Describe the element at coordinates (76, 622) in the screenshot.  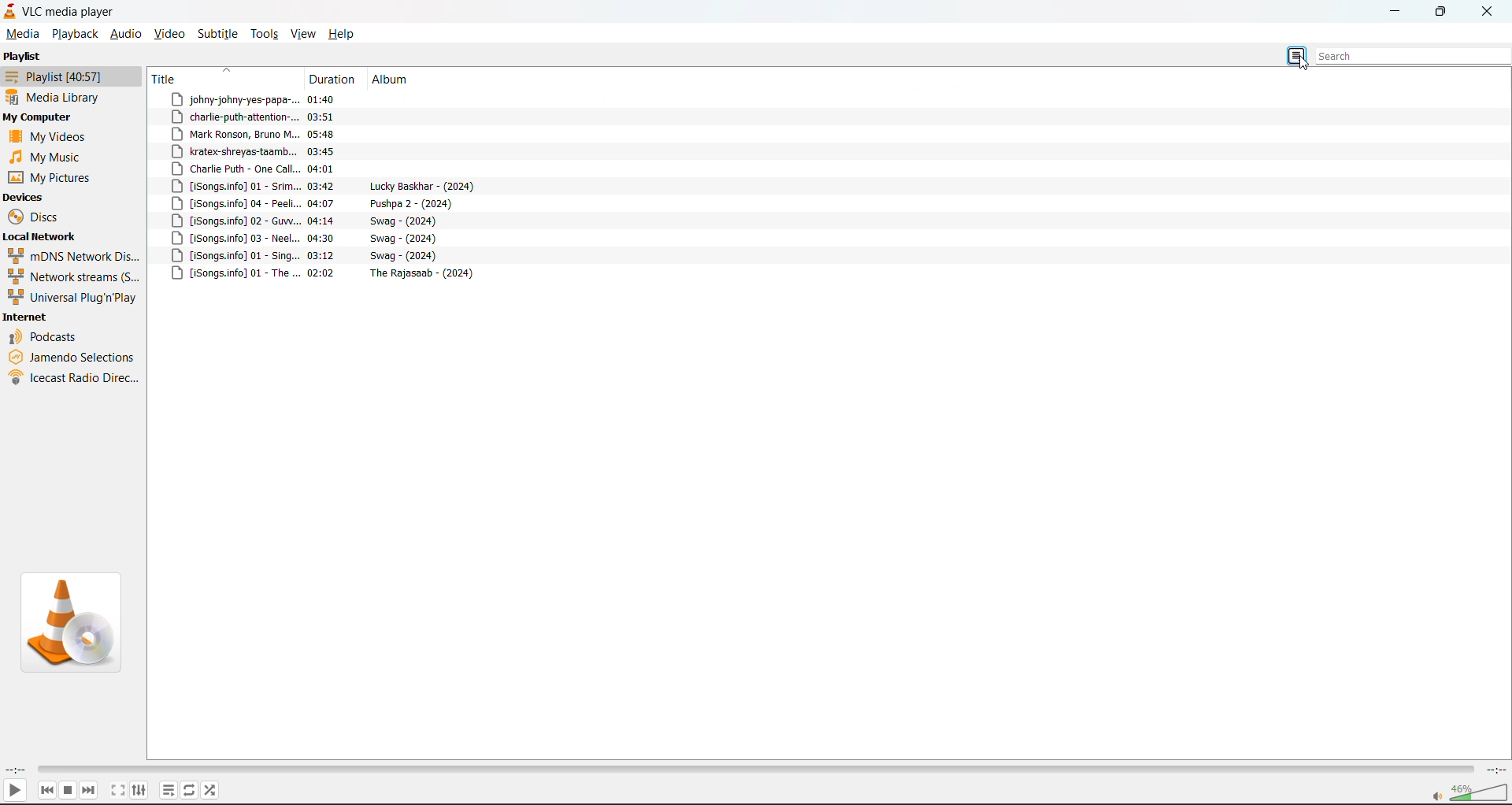
I see `thumbnail` at that location.